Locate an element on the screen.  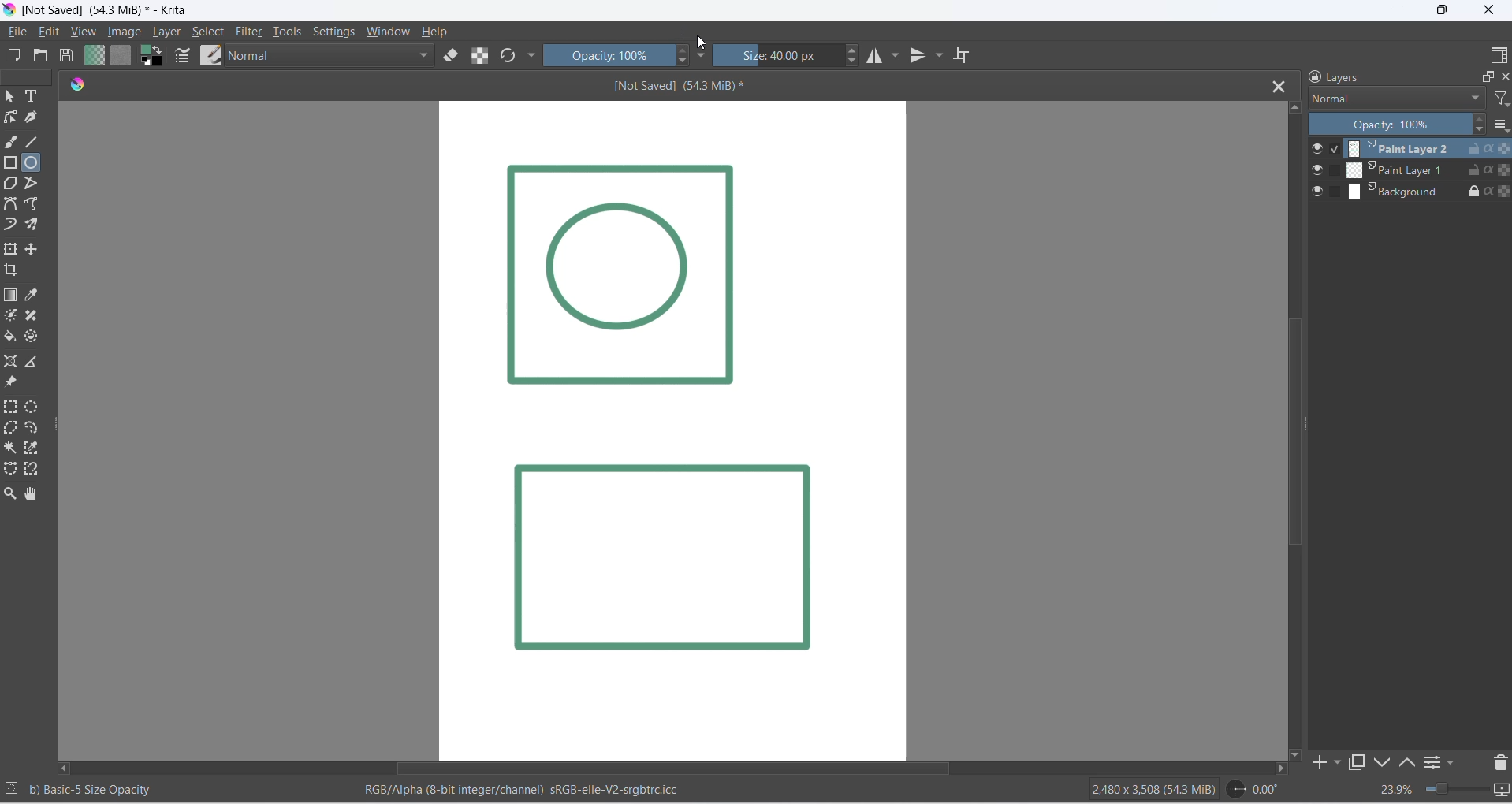
wrap around mode is located at coordinates (967, 57).